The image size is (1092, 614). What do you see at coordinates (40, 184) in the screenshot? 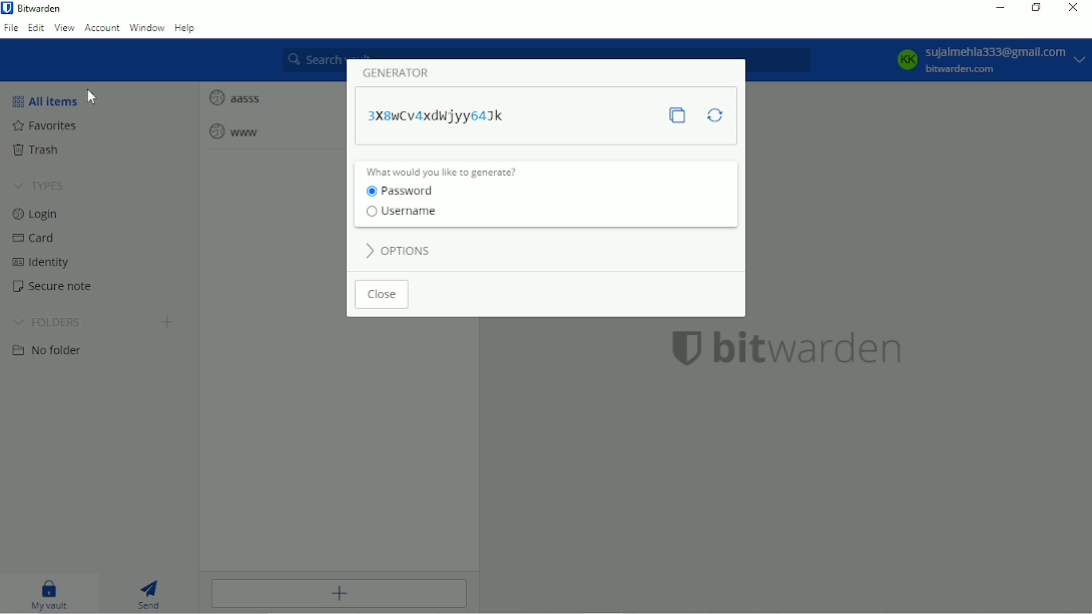
I see `Types` at bounding box center [40, 184].